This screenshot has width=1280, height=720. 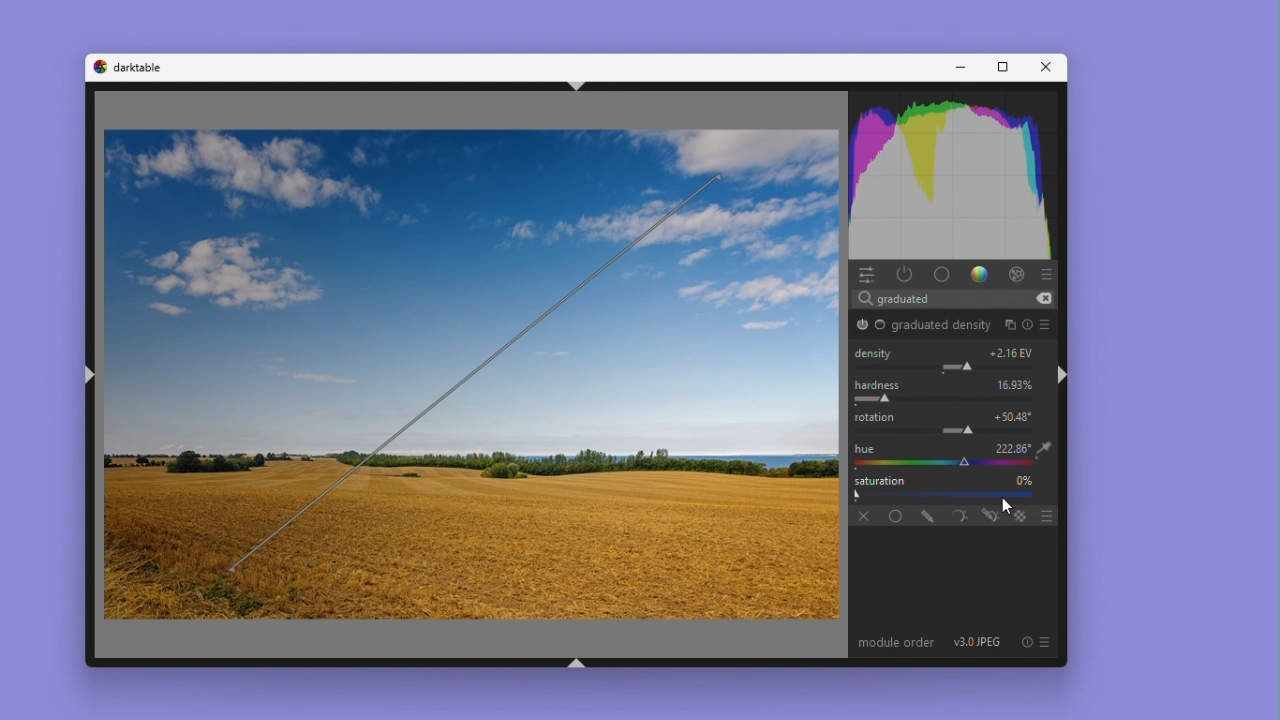 What do you see at coordinates (941, 274) in the screenshot?
I see `base` at bounding box center [941, 274].